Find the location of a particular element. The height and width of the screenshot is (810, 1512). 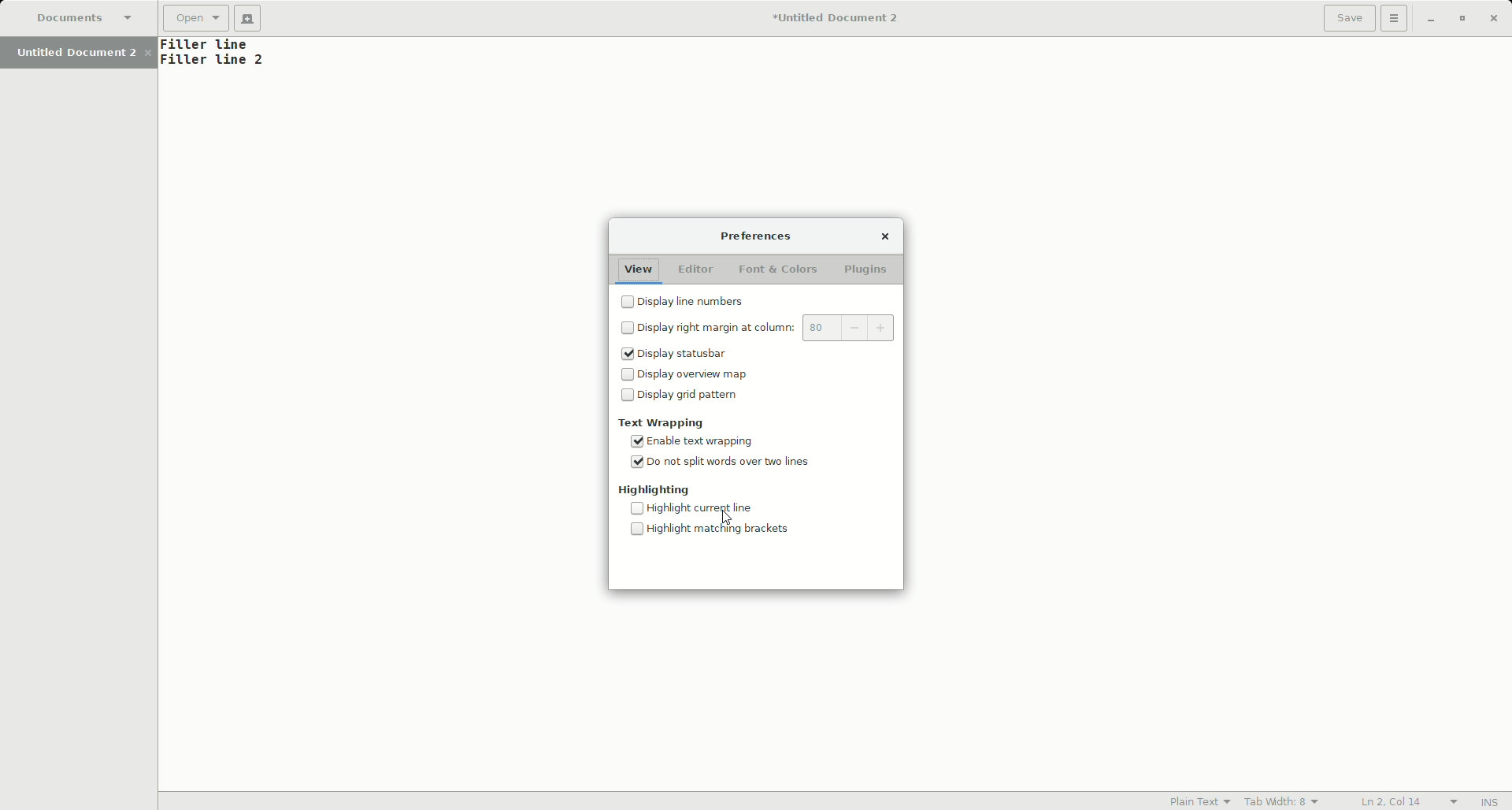

Options is located at coordinates (1395, 19).